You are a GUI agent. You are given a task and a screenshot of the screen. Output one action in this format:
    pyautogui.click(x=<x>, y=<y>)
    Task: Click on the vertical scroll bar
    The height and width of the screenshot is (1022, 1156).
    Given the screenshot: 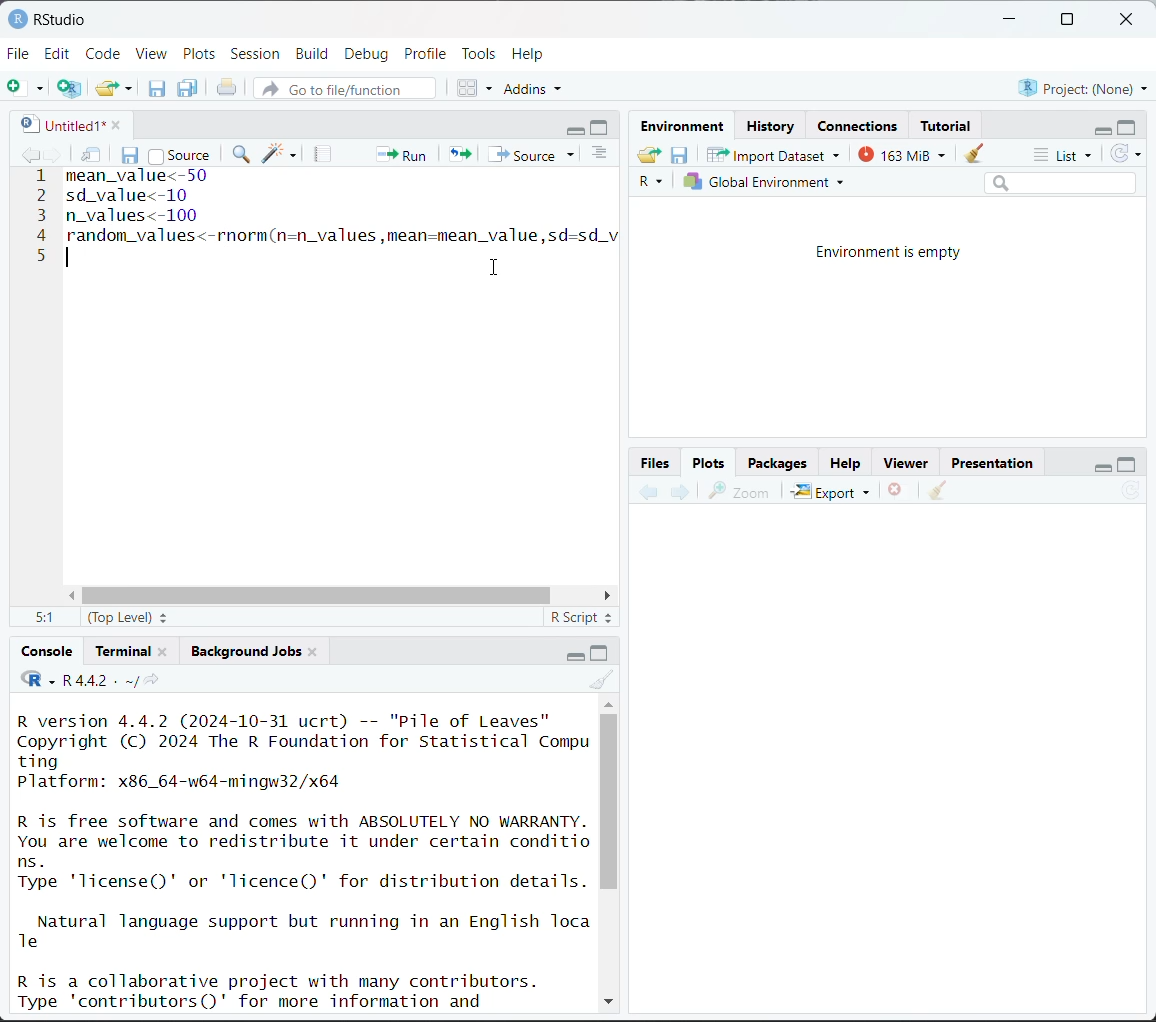 What is the action you would take?
    pyautogui.click(x=609, y=801)
    